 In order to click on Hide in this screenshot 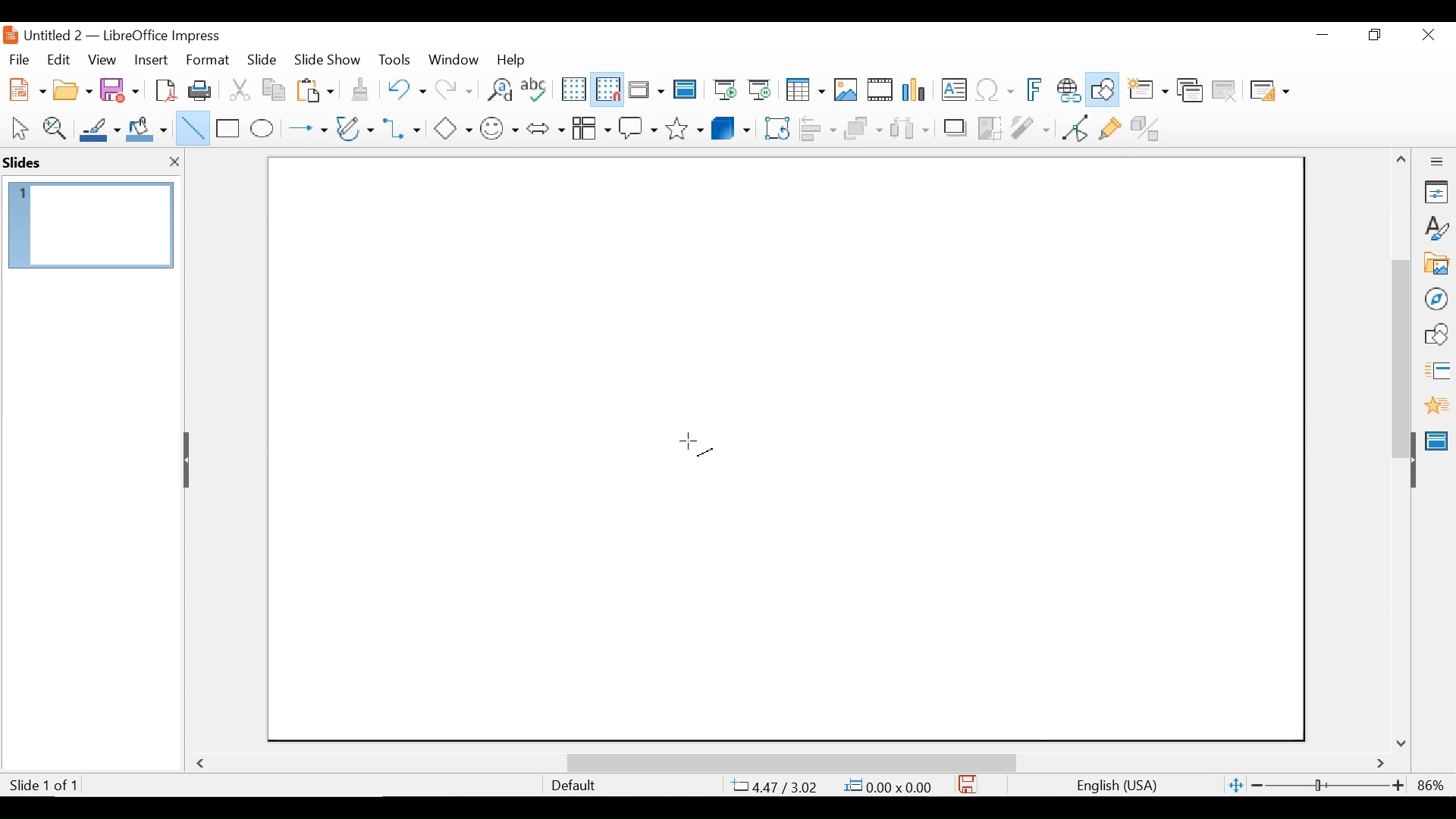, I will do `click(1412, 457)`.